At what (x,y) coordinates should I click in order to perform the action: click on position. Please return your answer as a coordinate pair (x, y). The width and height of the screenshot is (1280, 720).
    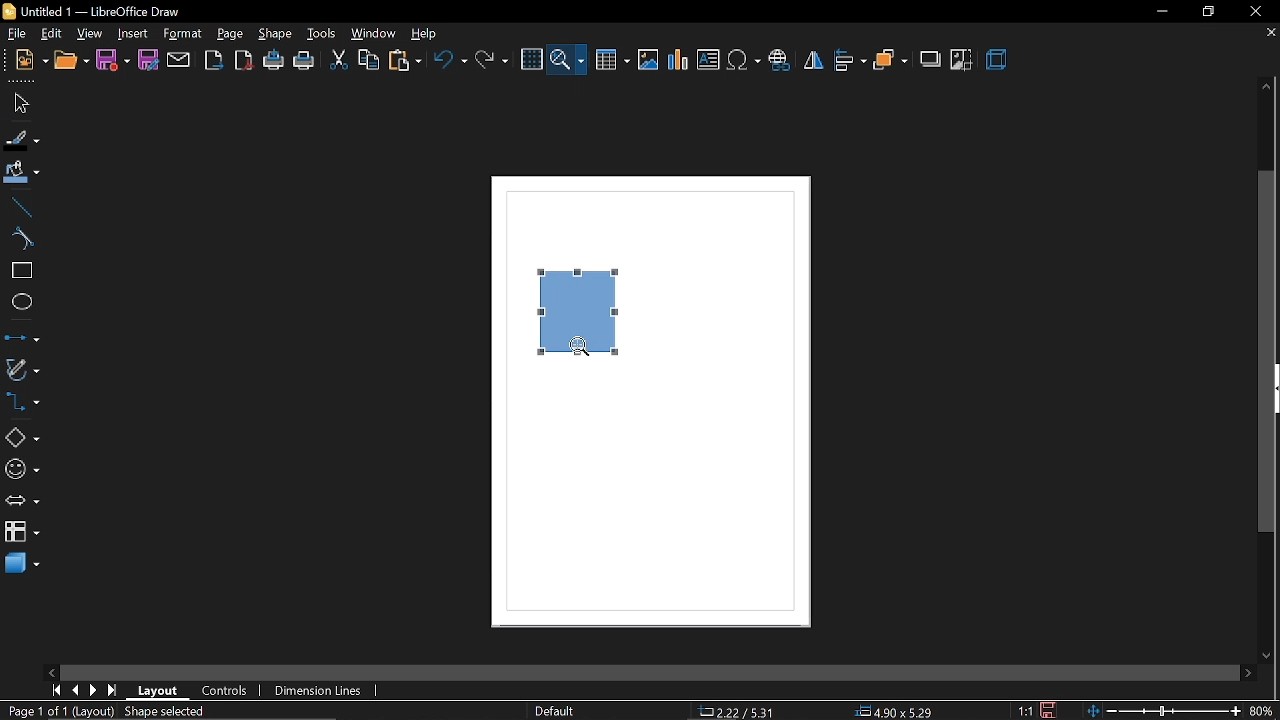
    Looking at the image, I should click on (894, 712).